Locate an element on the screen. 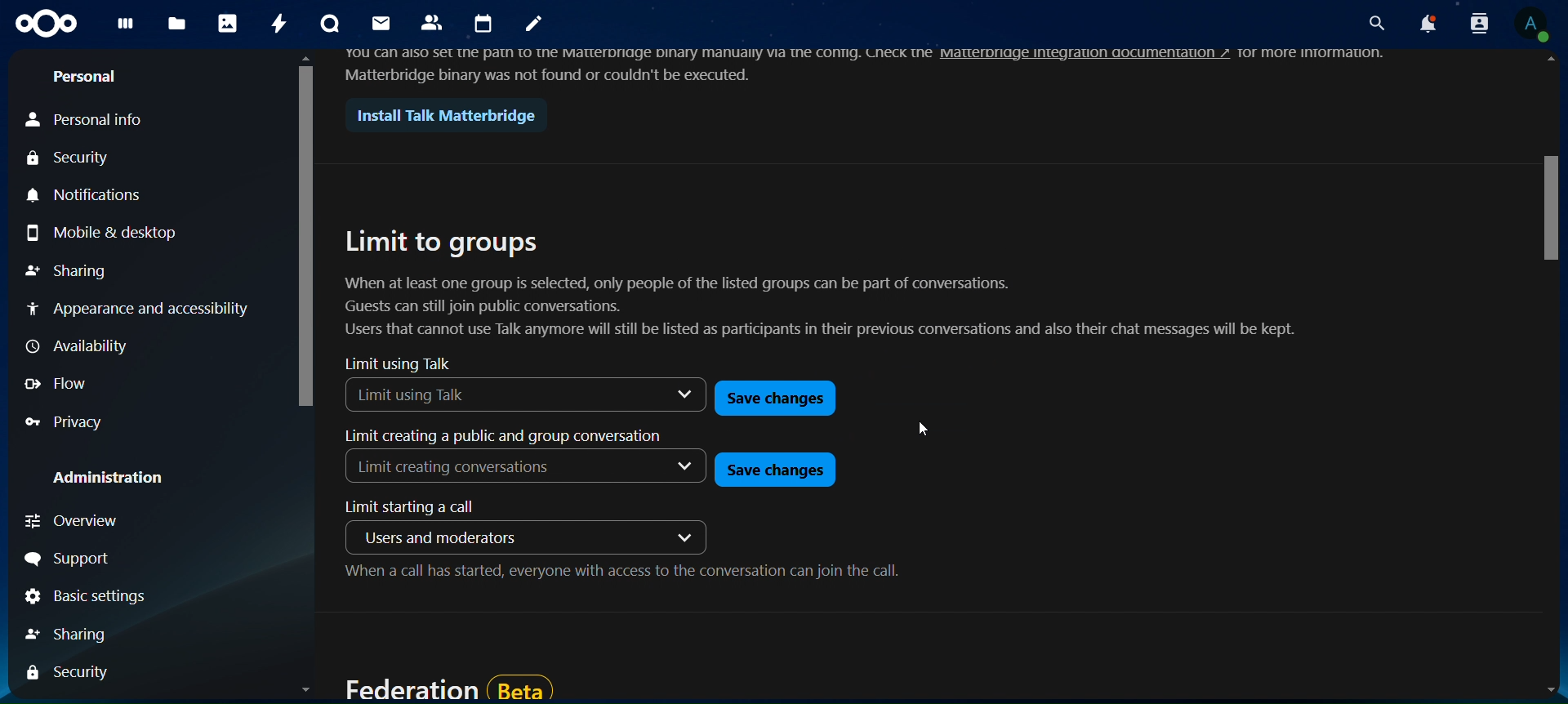  scroll bar is located at coordinates (1551, 380).